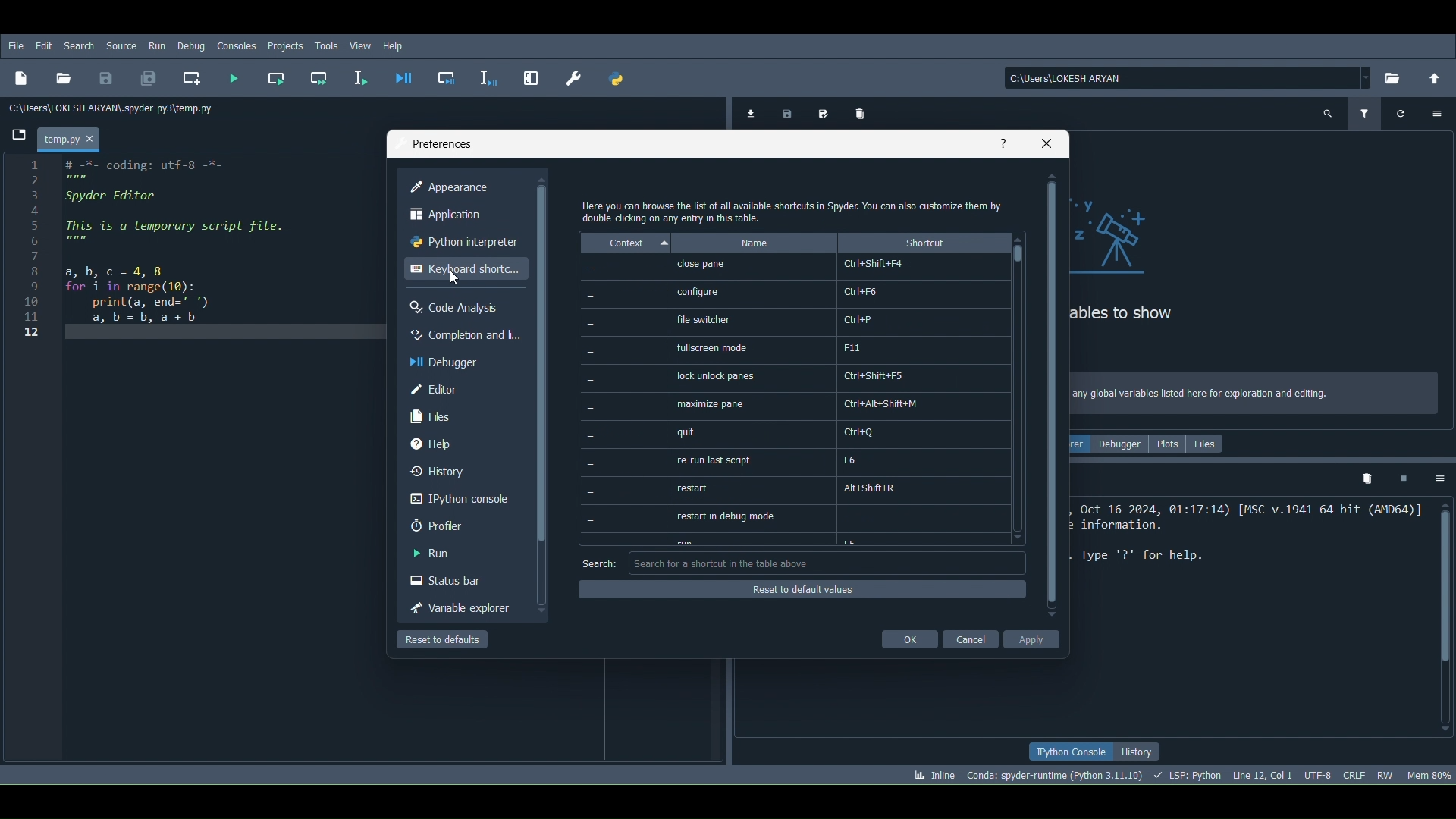 The height and width of the screenshot is (819, 1456). I want to click on History, so click(457, 470).